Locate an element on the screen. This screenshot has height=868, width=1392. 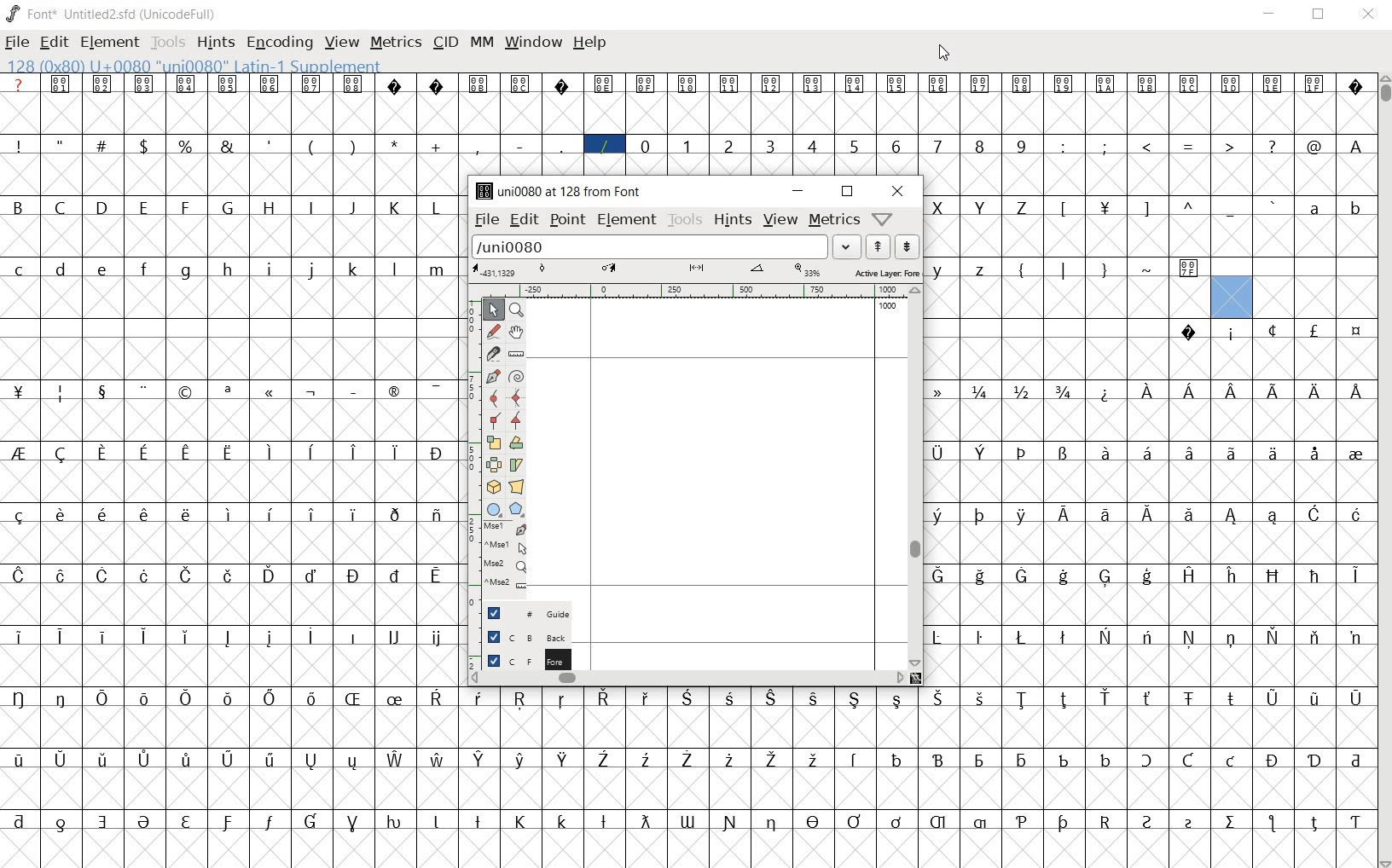
glyph is located at coordinates (396, 699).